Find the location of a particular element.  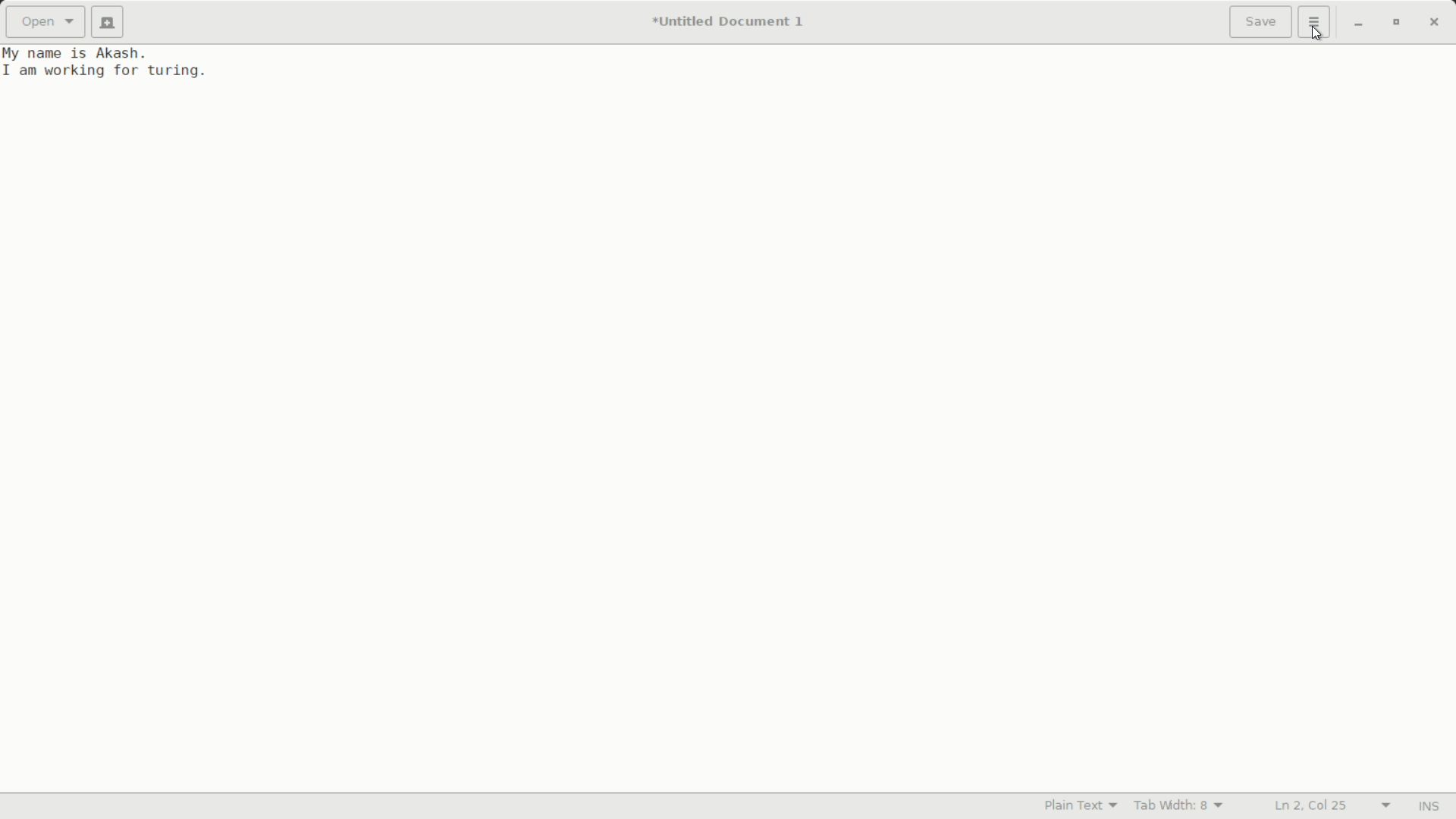

*Untitled Document 1 is located at coordinates (733, 23).